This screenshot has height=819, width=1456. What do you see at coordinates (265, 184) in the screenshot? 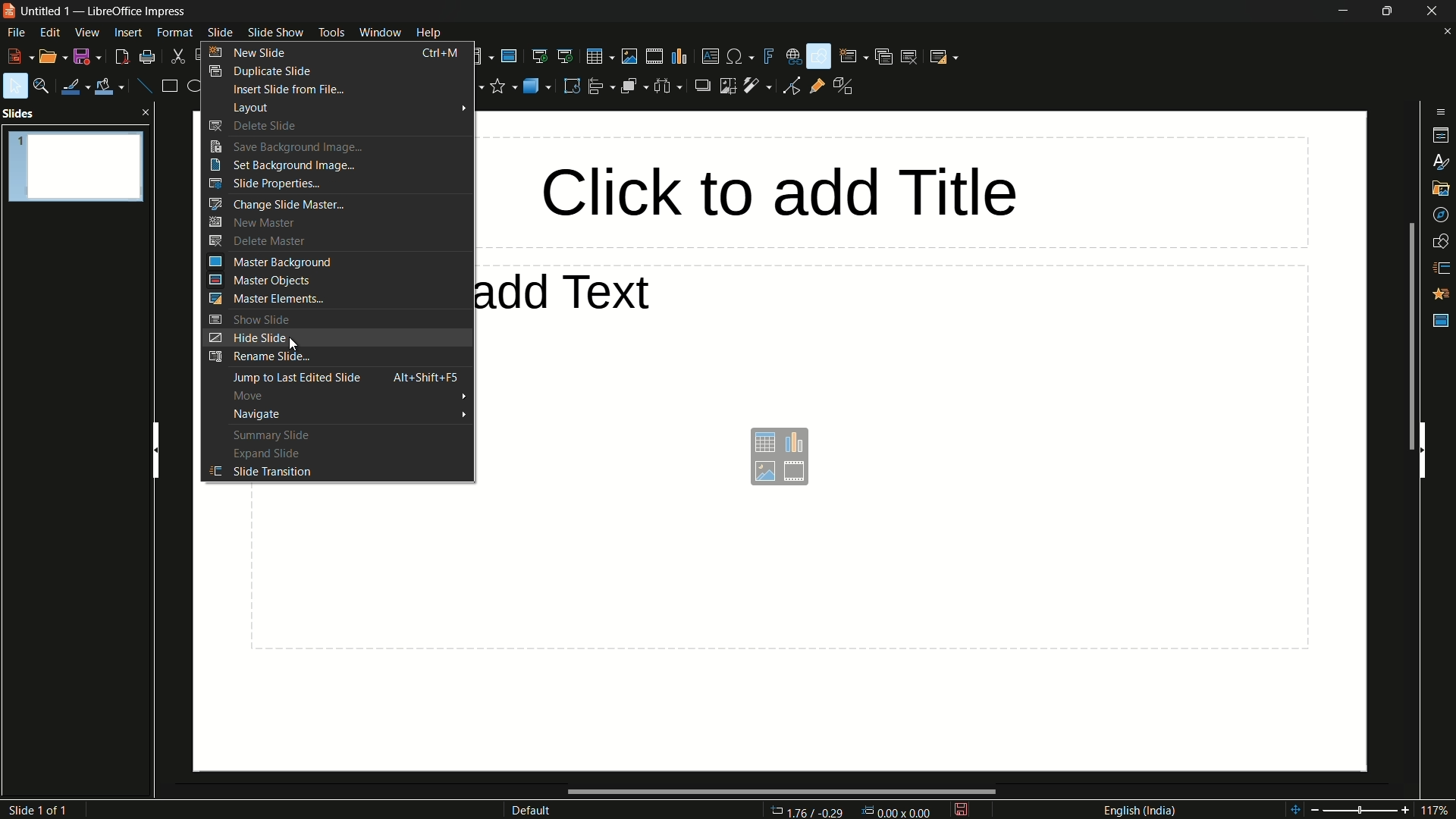
I see `slide properties` at bounding box center [265, 184].